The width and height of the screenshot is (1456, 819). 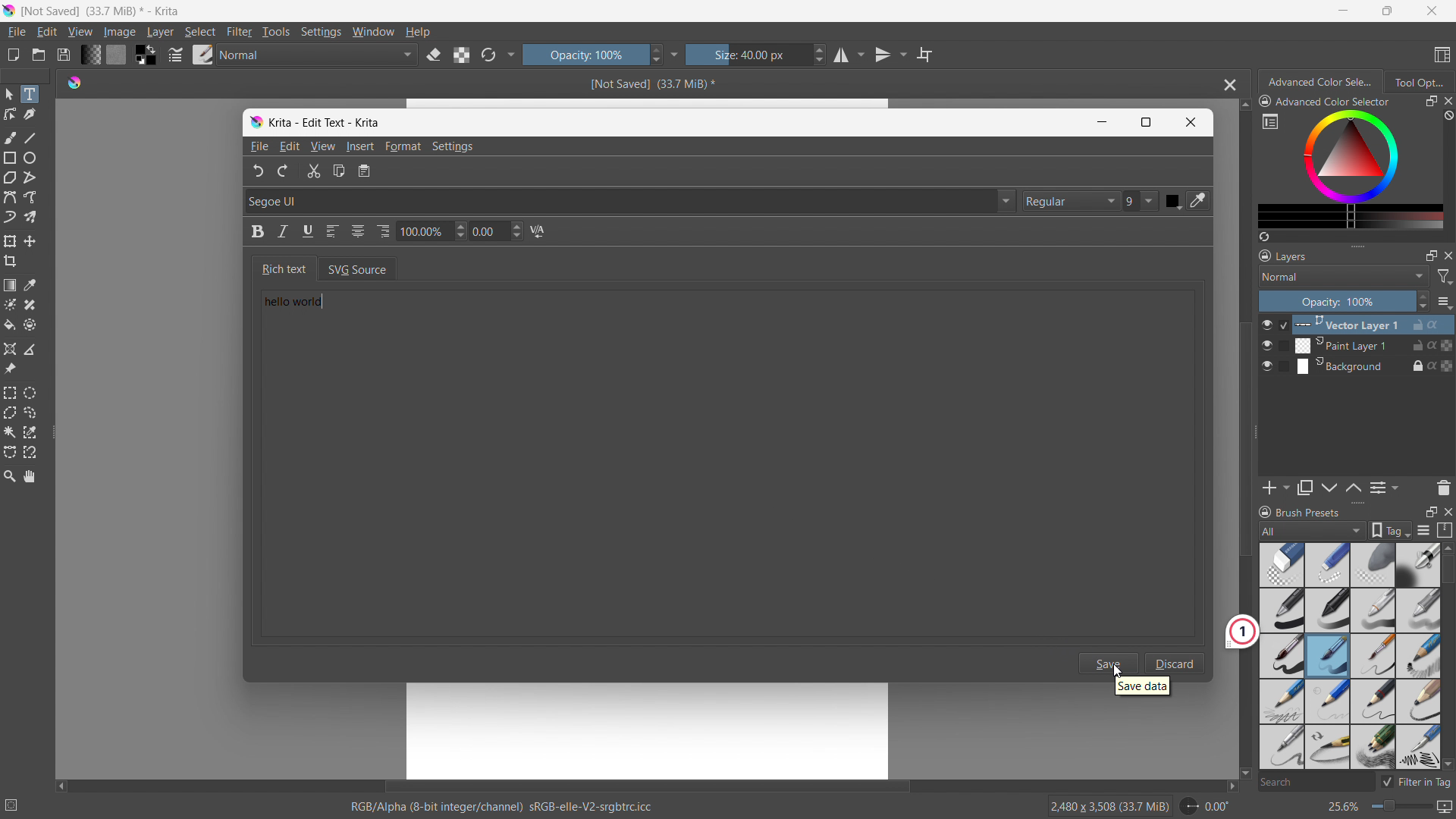 I want to click on assistant tool, so click(x=10, y=349).